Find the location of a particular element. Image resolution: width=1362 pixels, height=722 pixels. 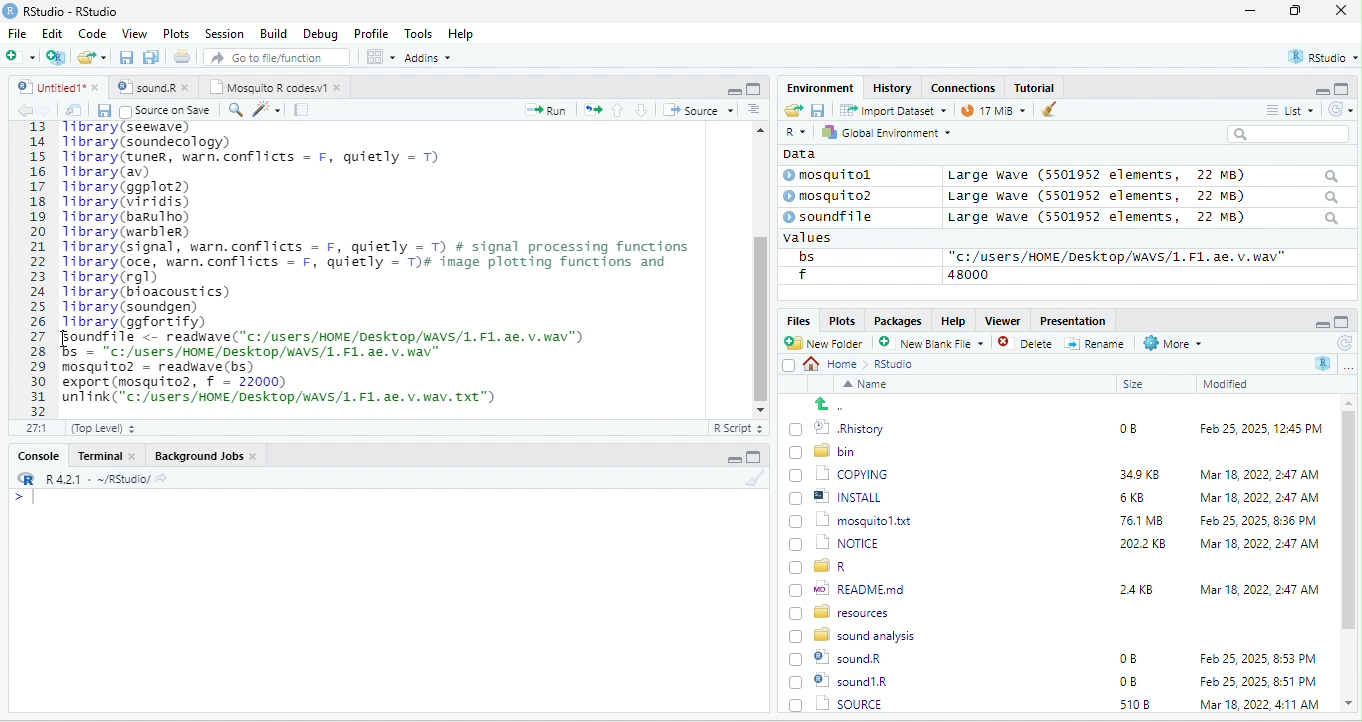

24KB is located at coordinates (1133, 588).